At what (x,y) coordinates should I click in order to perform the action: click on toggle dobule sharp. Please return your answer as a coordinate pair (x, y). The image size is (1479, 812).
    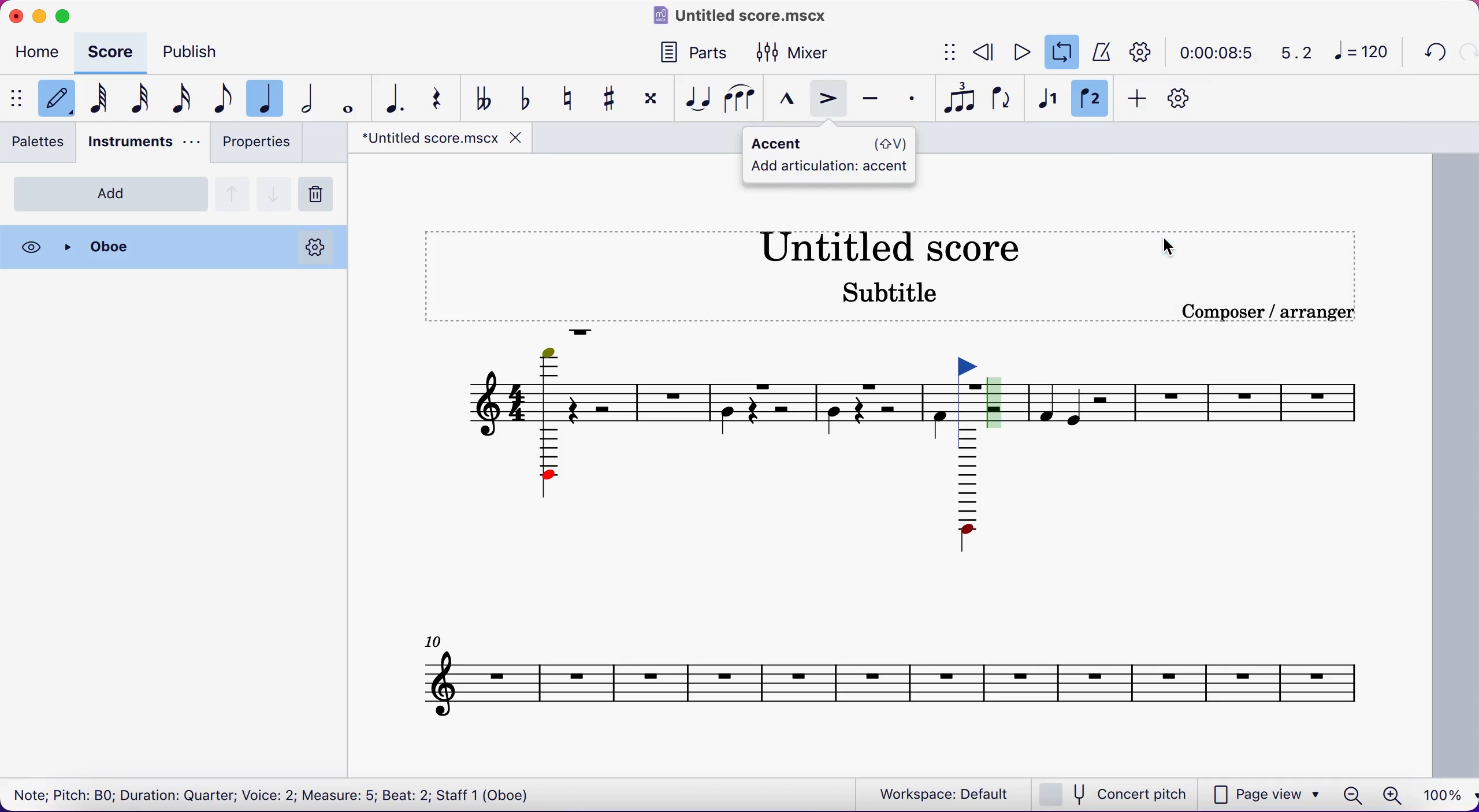
    Looking at the image, I should click on (653, 102).